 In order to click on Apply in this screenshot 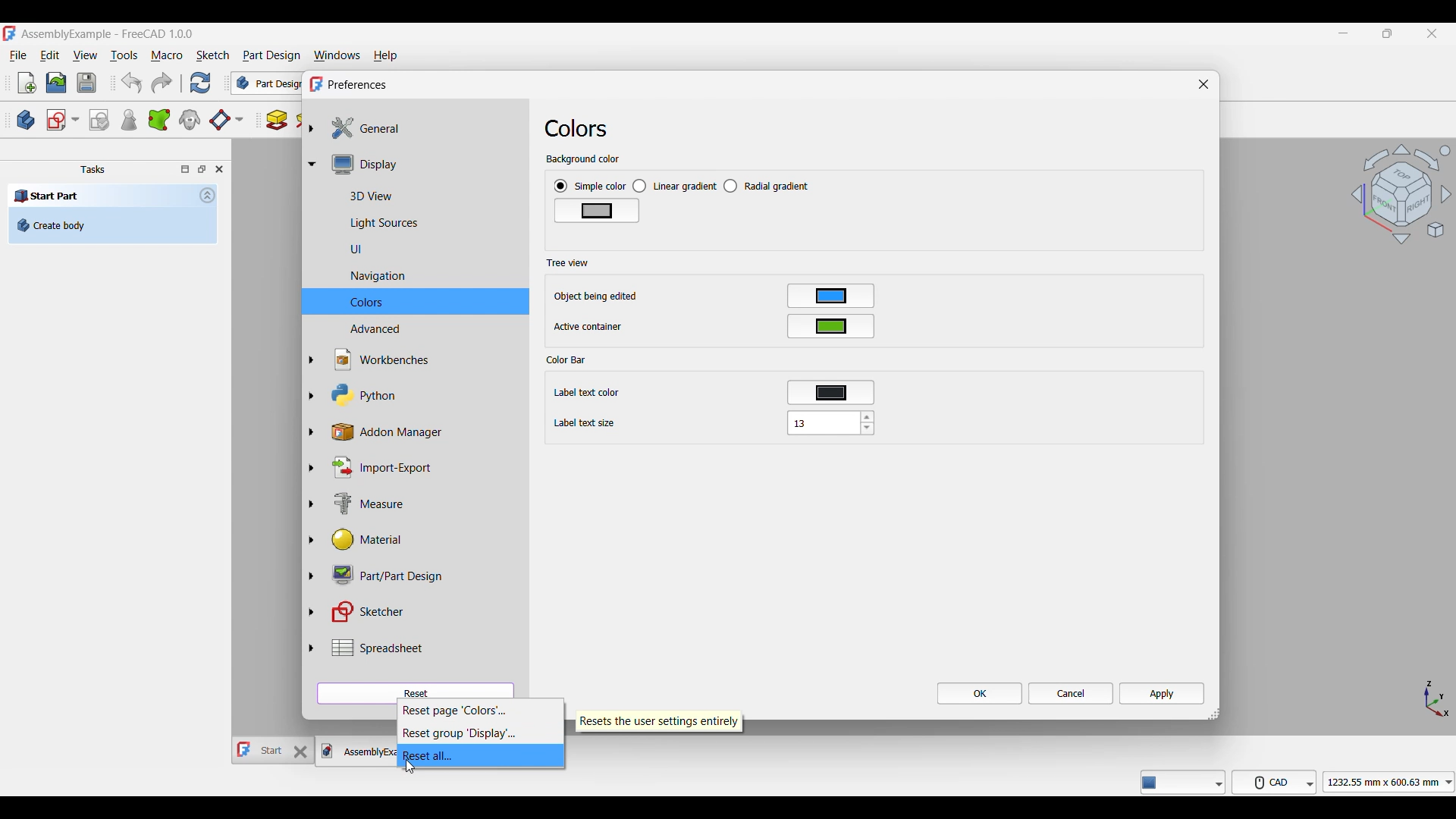, I will do `click(1162, 693)`.